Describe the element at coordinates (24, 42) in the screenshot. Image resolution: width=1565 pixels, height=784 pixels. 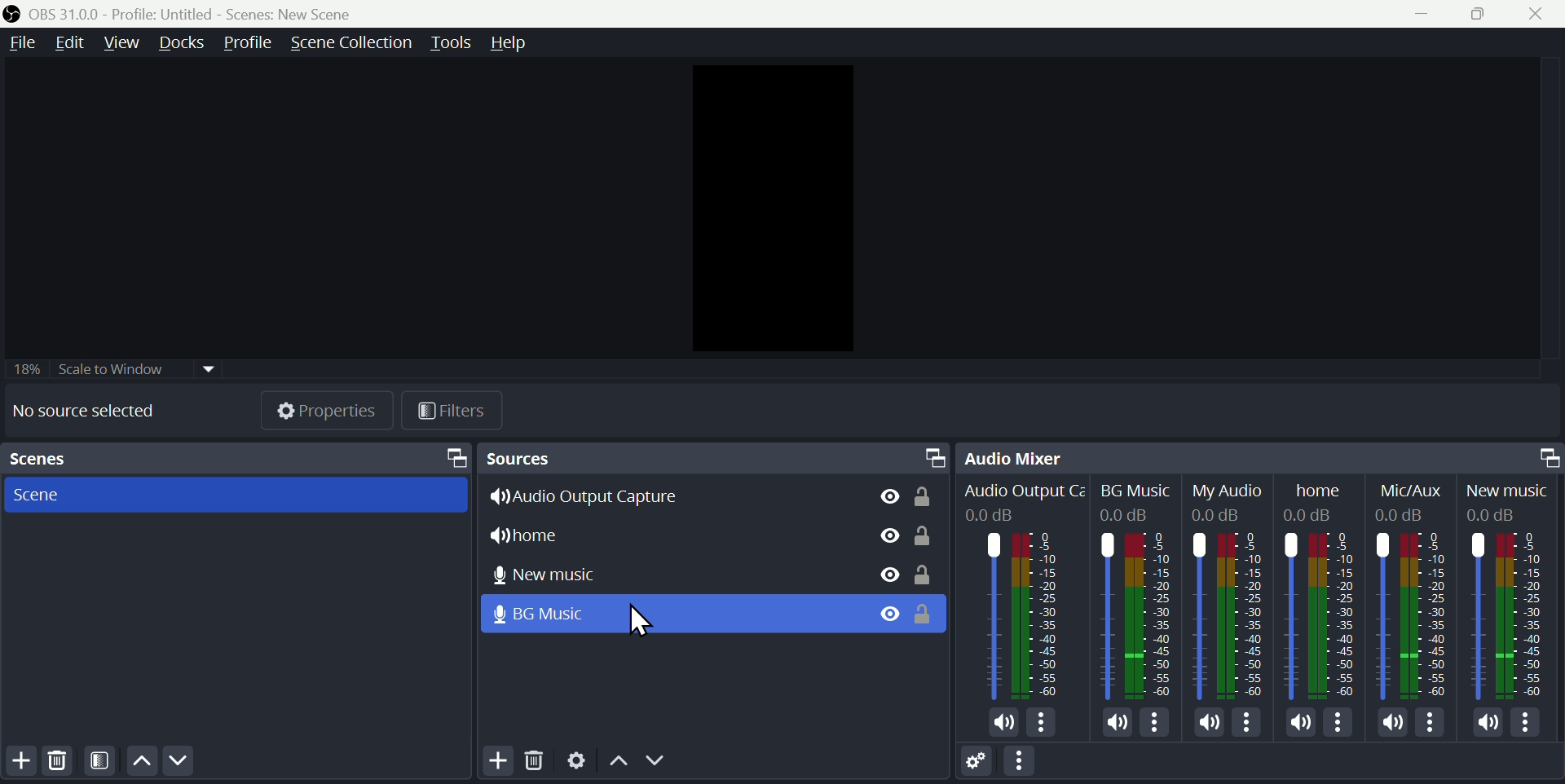
I see `File` at that location.